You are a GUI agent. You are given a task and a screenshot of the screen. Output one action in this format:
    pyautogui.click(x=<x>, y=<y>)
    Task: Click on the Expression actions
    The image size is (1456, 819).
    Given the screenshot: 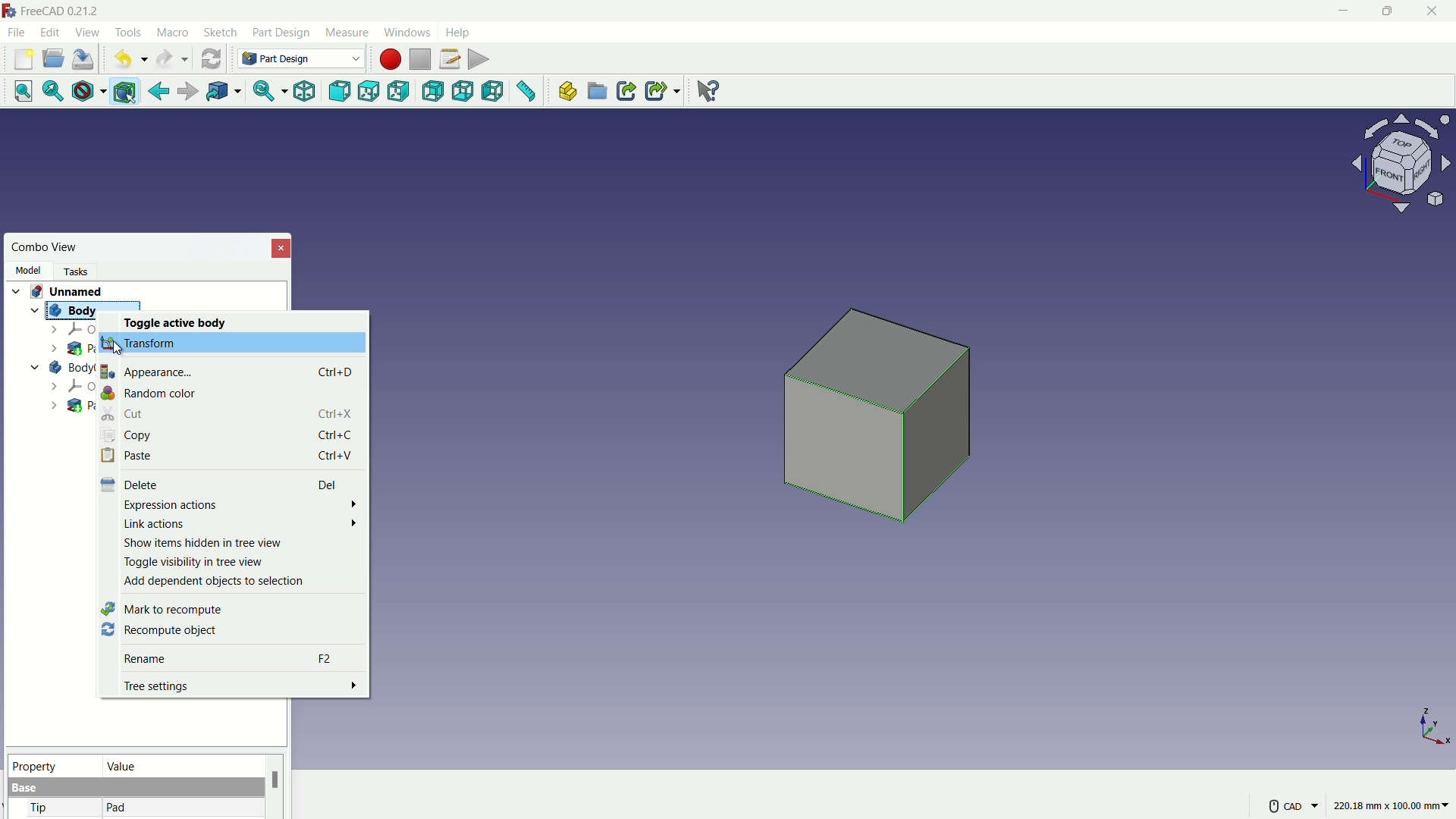 What is the action you would take?
    pyautogui.click(x=238, y=504)
    